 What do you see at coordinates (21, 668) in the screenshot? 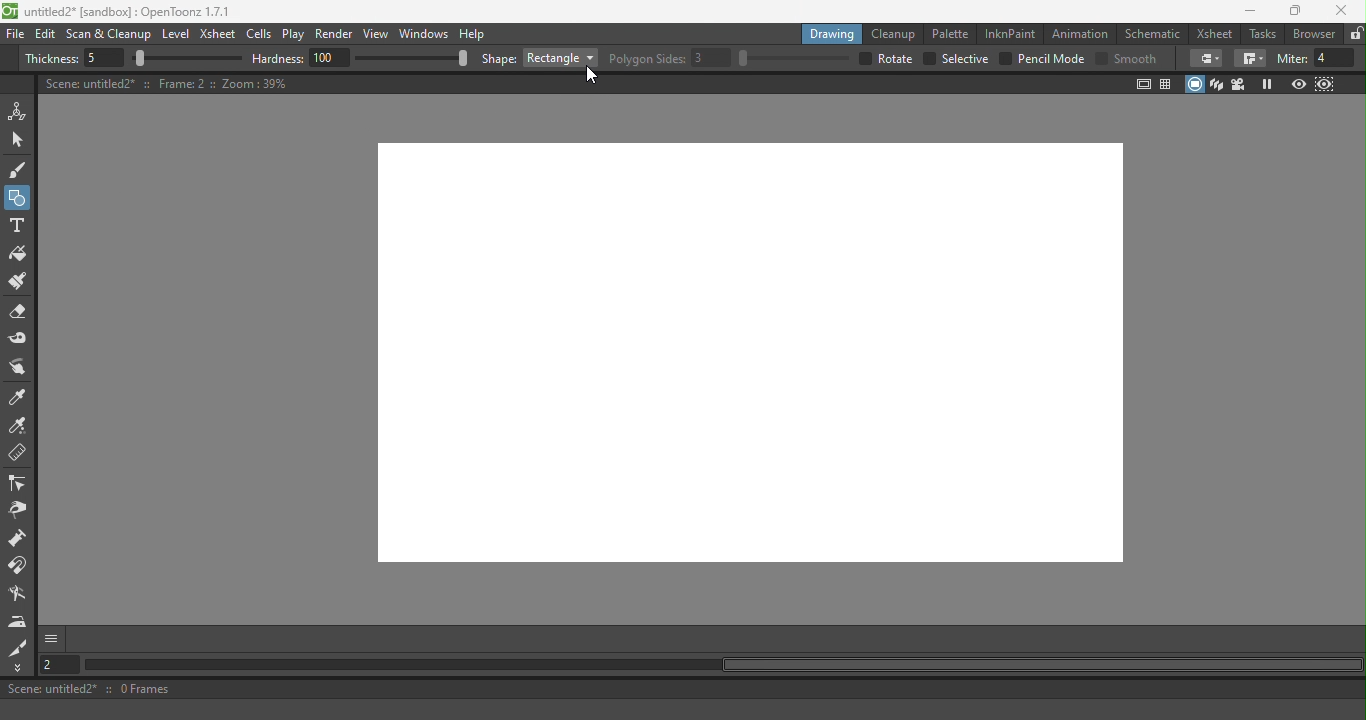
I see `More tools` at bounding box center [21, 668].